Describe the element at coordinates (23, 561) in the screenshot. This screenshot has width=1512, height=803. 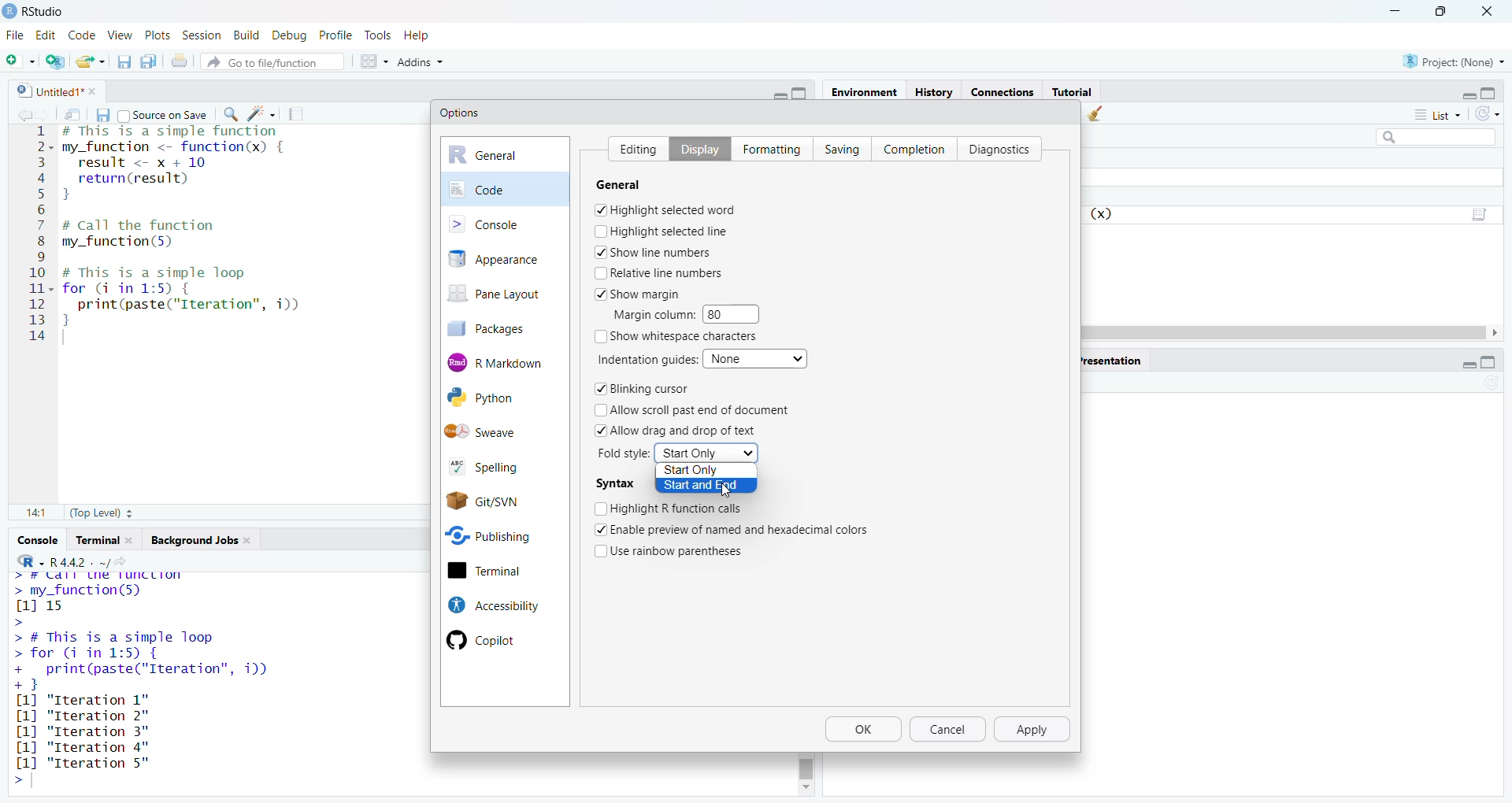
I see `language select` at that location.